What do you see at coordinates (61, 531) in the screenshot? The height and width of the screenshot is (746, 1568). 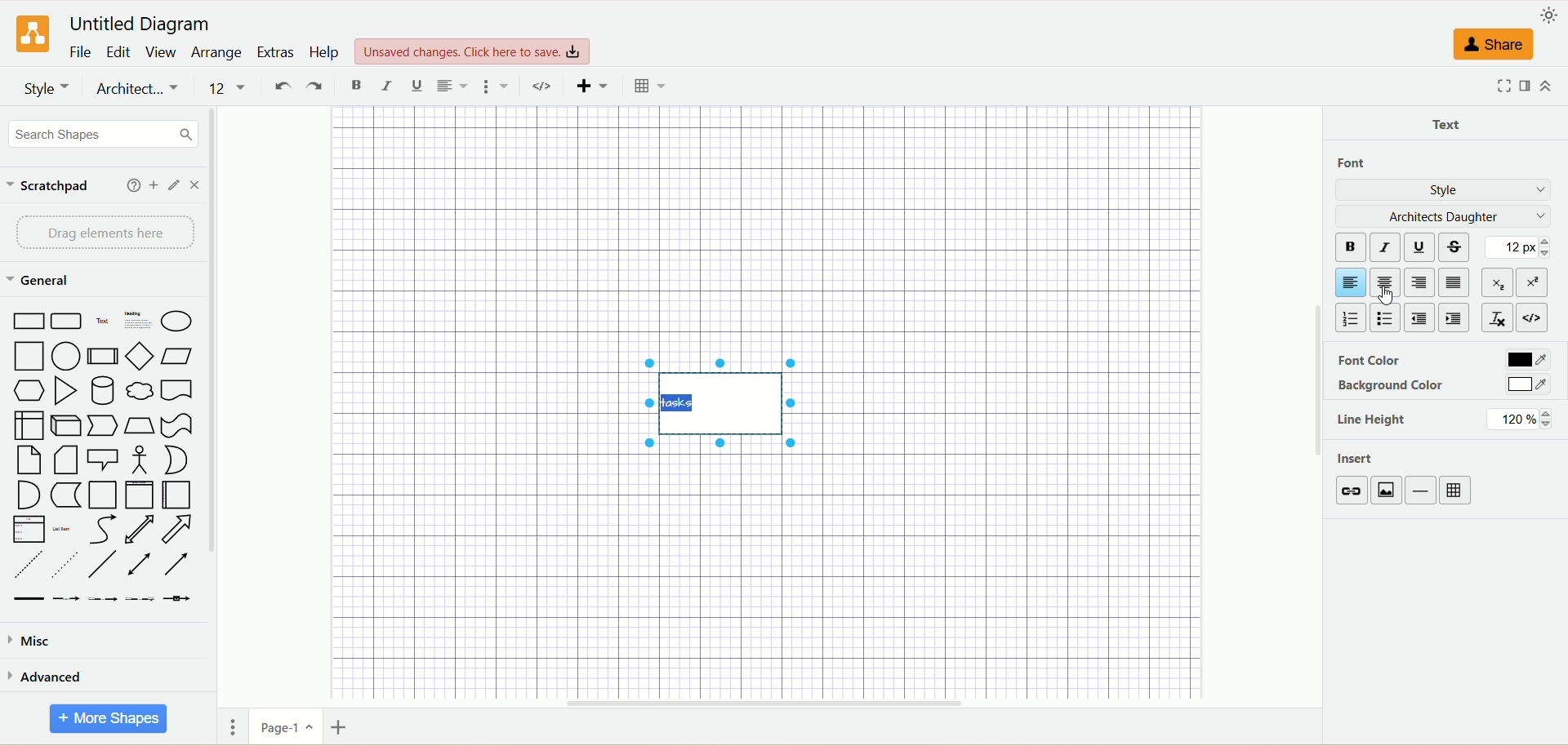 I see `List Item` at bounding box center [61, 531].